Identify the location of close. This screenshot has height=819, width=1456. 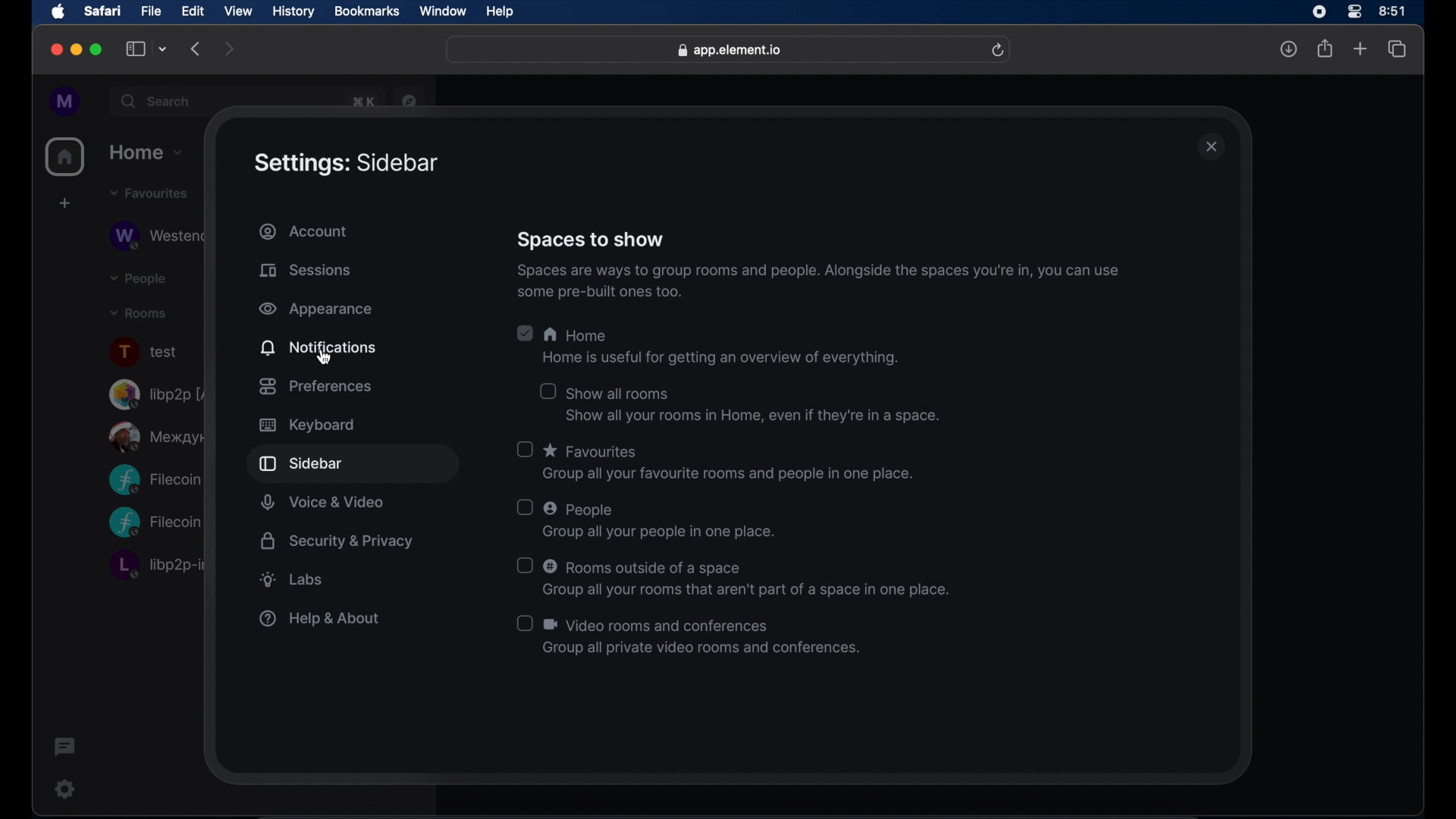
(1212, 148).